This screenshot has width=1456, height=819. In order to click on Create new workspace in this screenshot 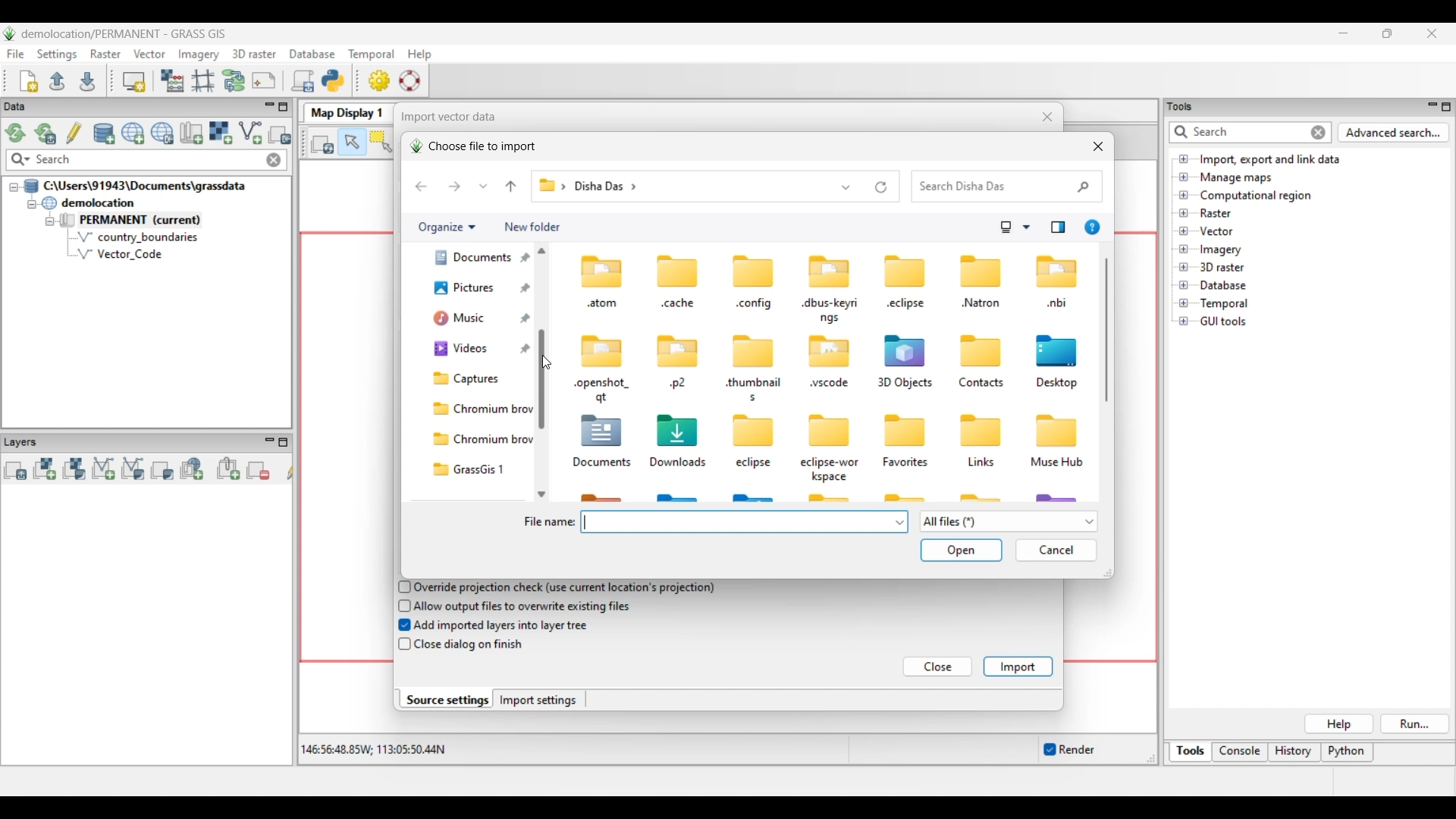, I will do `click(30, 81)`.